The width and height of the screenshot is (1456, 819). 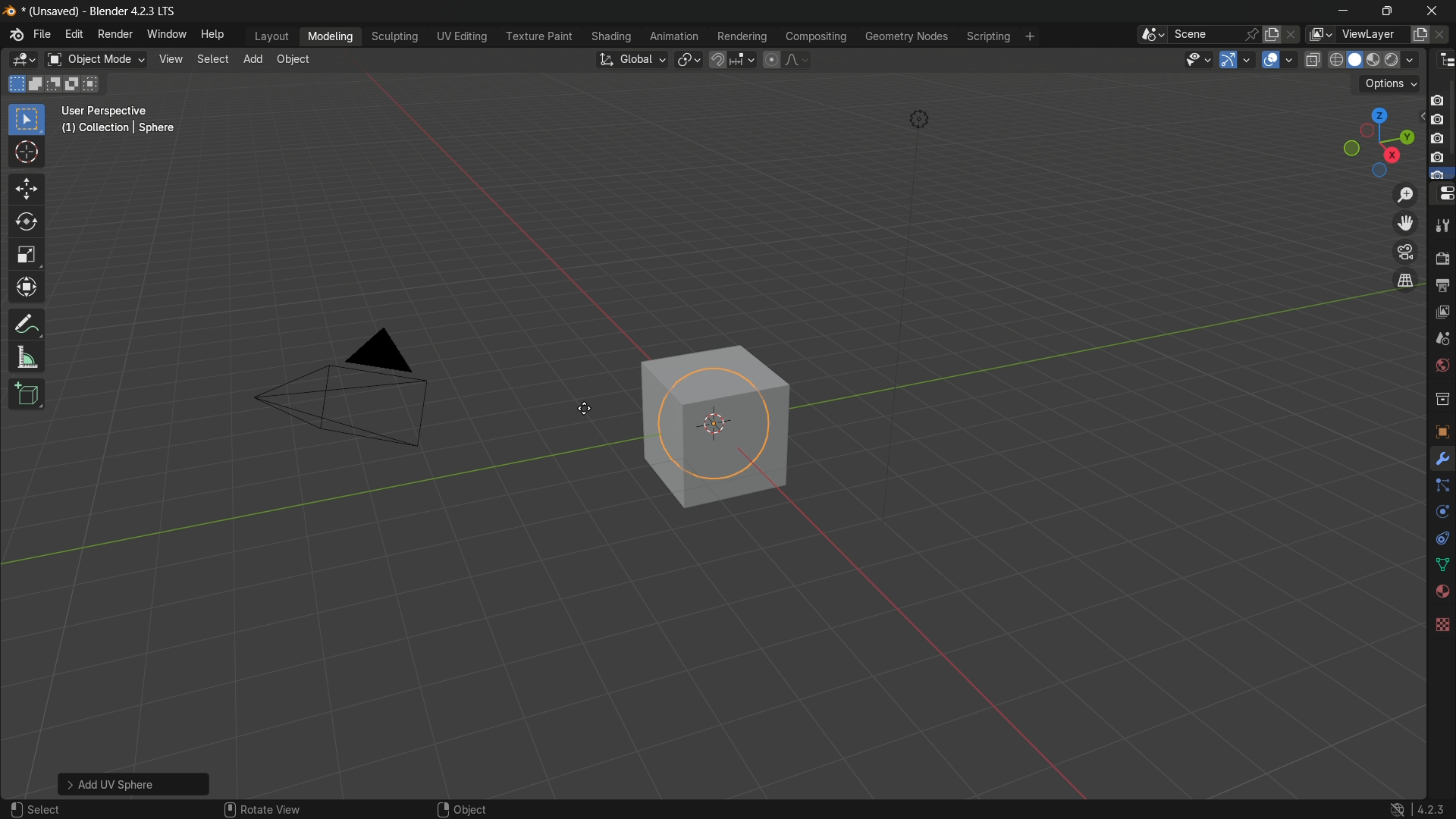 I want to click on wireframe display, so click(x=1335, y=60).